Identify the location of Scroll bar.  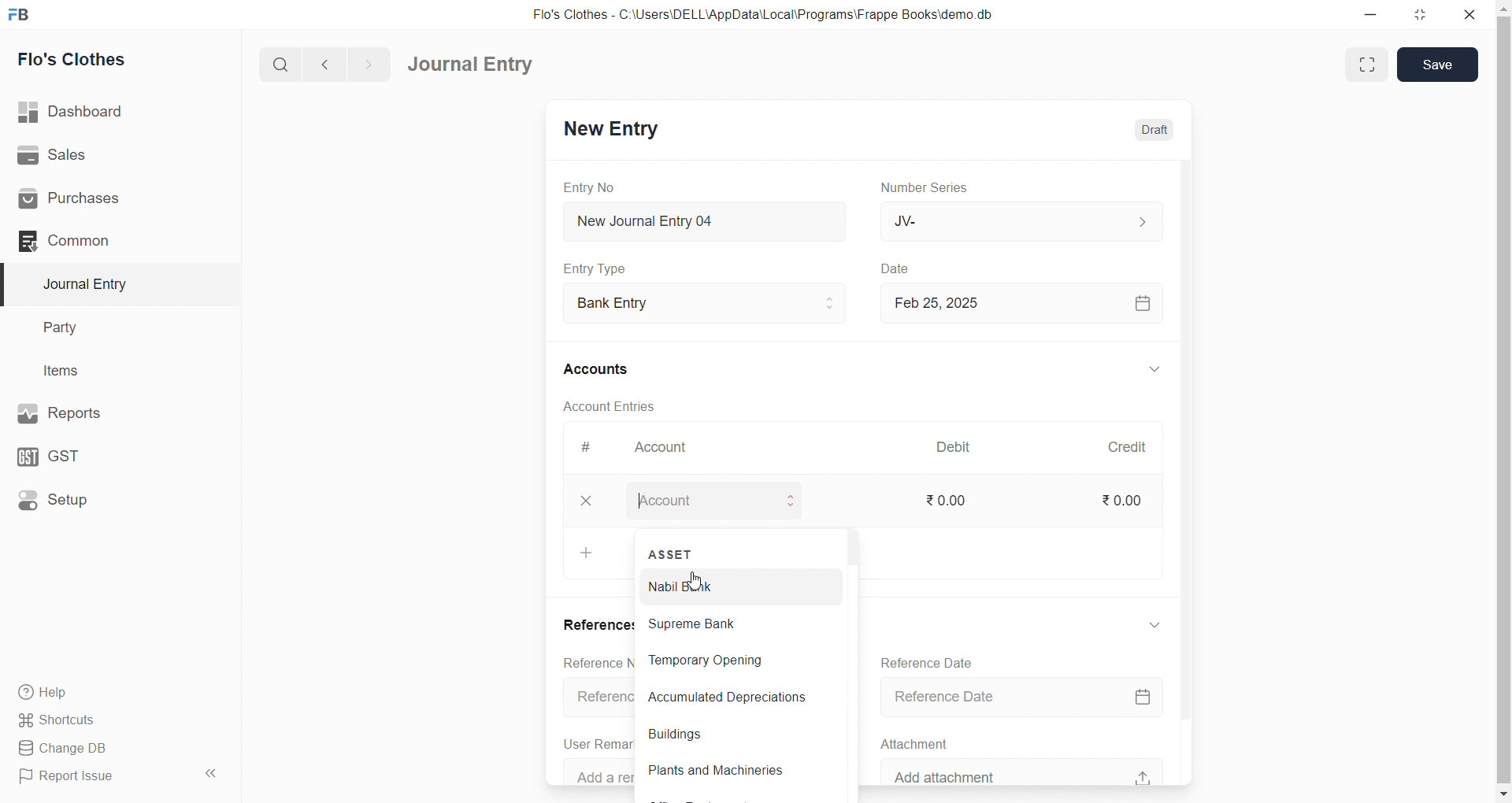
(1191, 472).